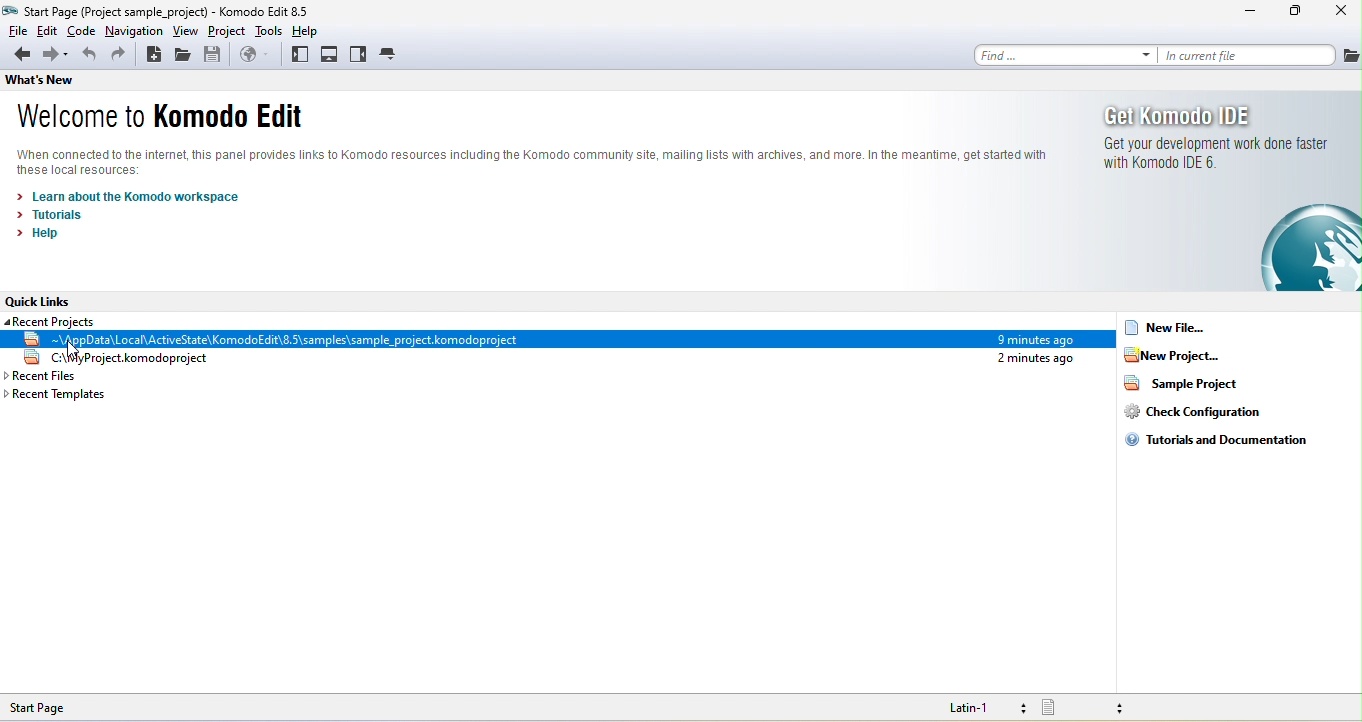 The height and width of the screenshot is (722, 1362). Describe the element at coordinates (552, 341) in the screenshot. I see `file selected` at that location.